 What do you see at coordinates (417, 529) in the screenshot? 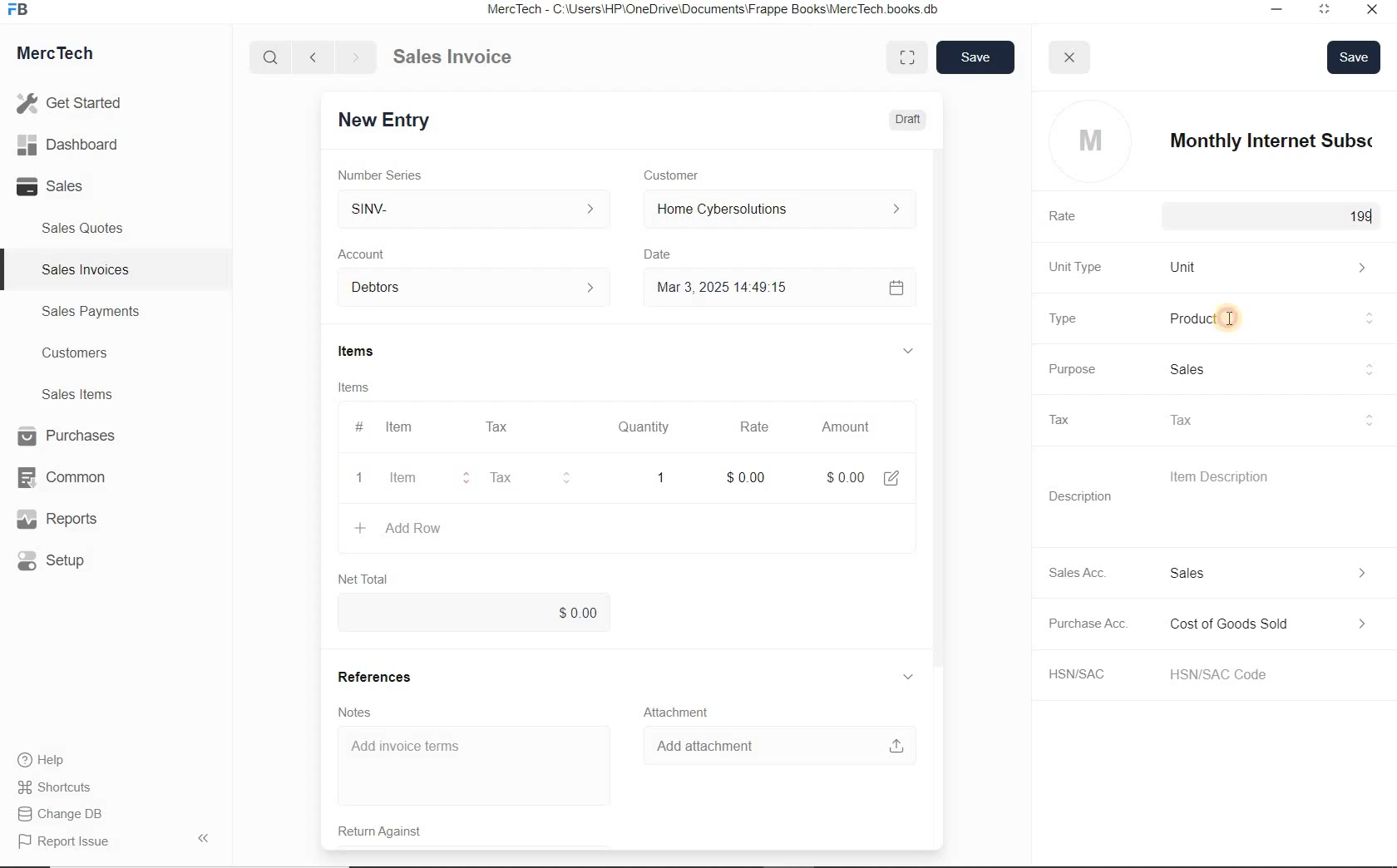
I see `+ Add Row` at bounding box center [417, 529].